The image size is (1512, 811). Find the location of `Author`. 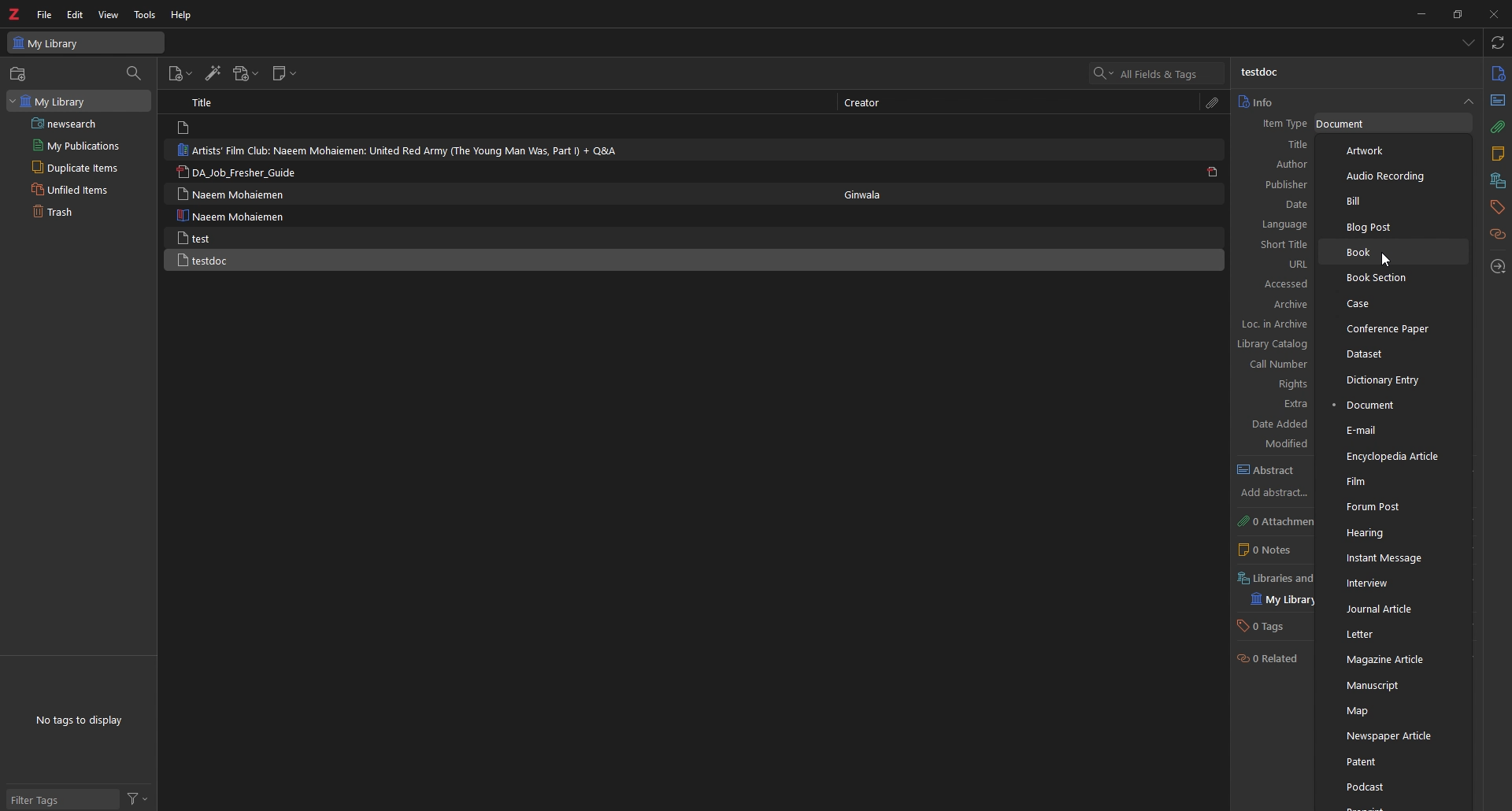

Author is located at coordinates (1282, 165).